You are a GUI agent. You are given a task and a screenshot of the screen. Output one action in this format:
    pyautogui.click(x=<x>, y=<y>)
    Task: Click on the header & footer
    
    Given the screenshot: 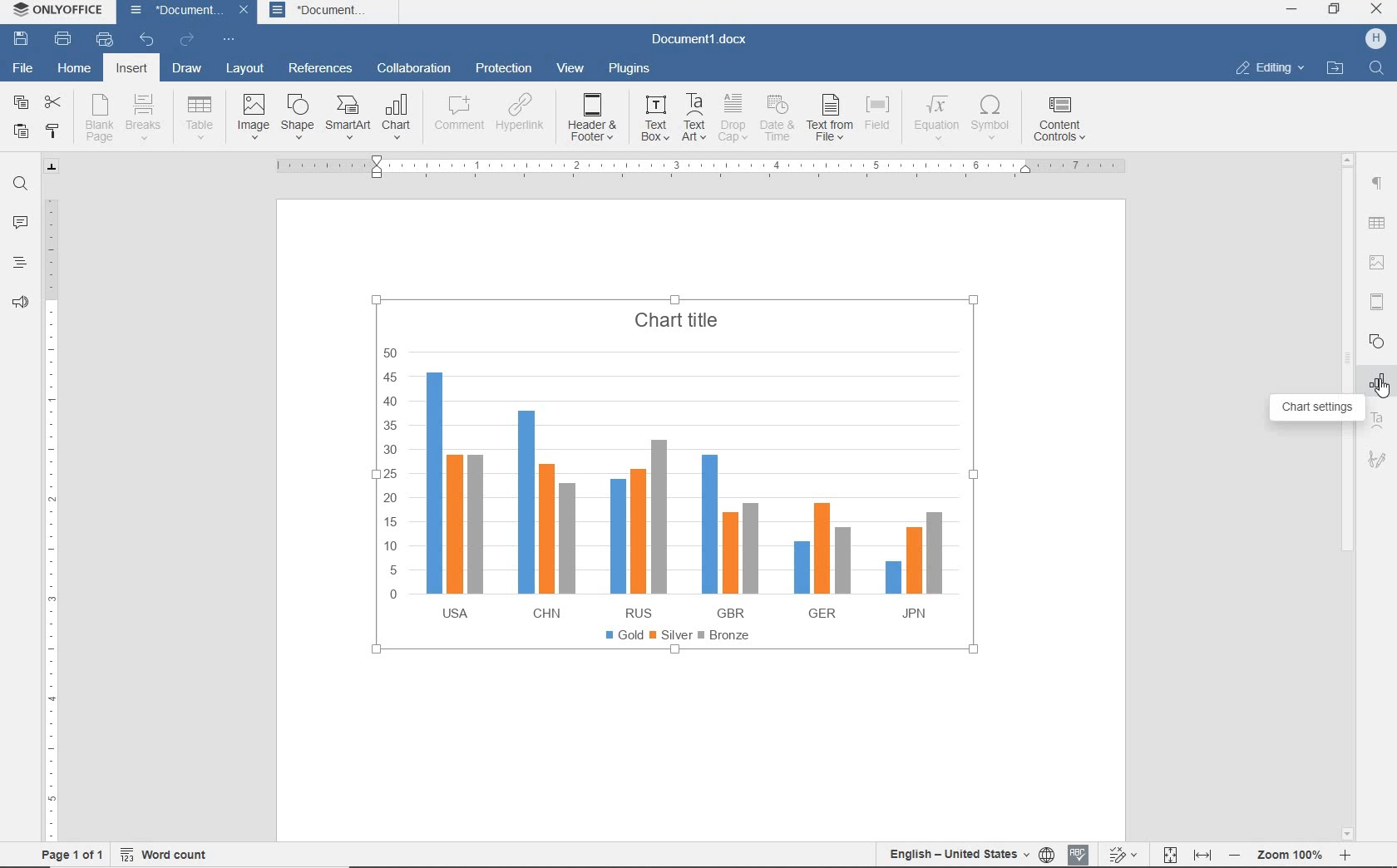 What is the action you would take?
    pyautogui.click(x=595, y=118)
    